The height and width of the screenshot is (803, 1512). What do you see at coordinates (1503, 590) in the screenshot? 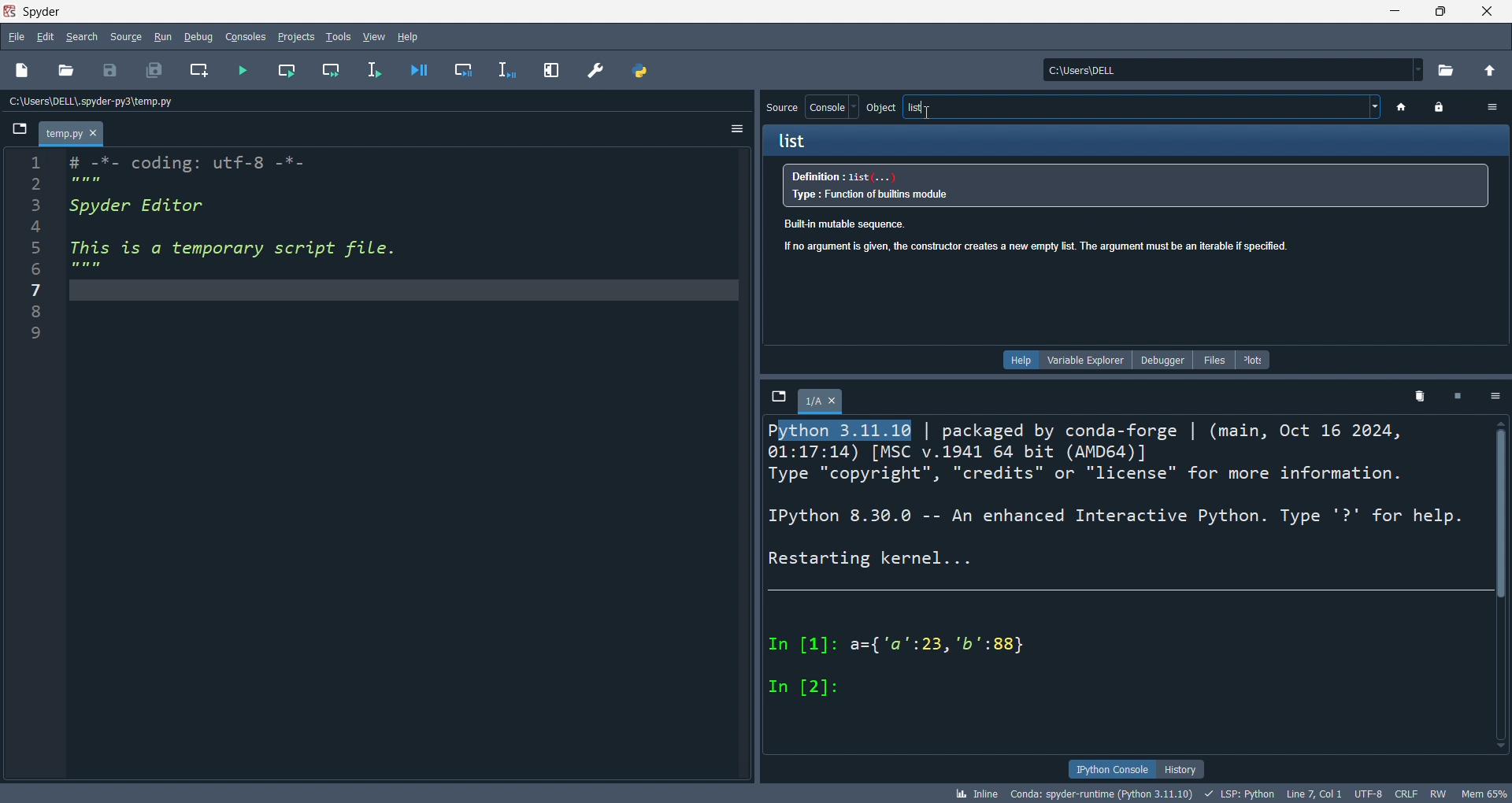
I see `scroll bar` at bounding box center [1503, 590].